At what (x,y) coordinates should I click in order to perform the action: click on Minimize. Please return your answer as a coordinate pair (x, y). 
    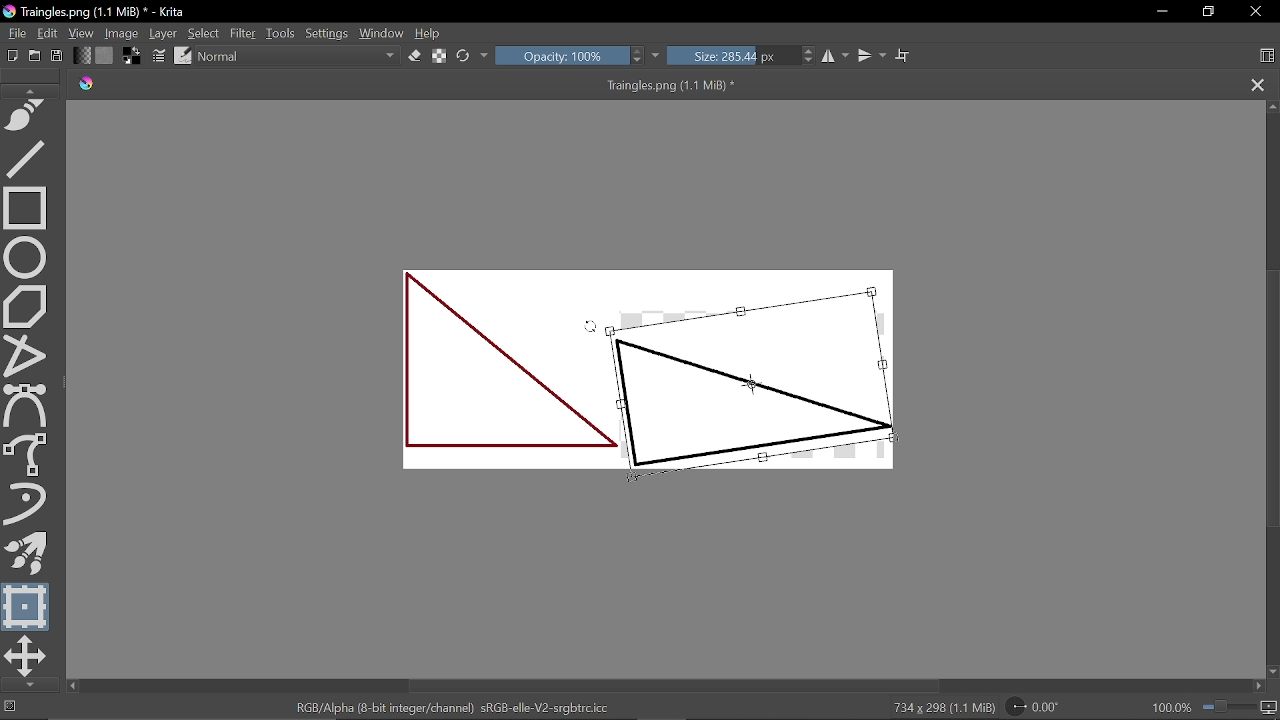
    Looking at the image, I should click on (1158, 11).